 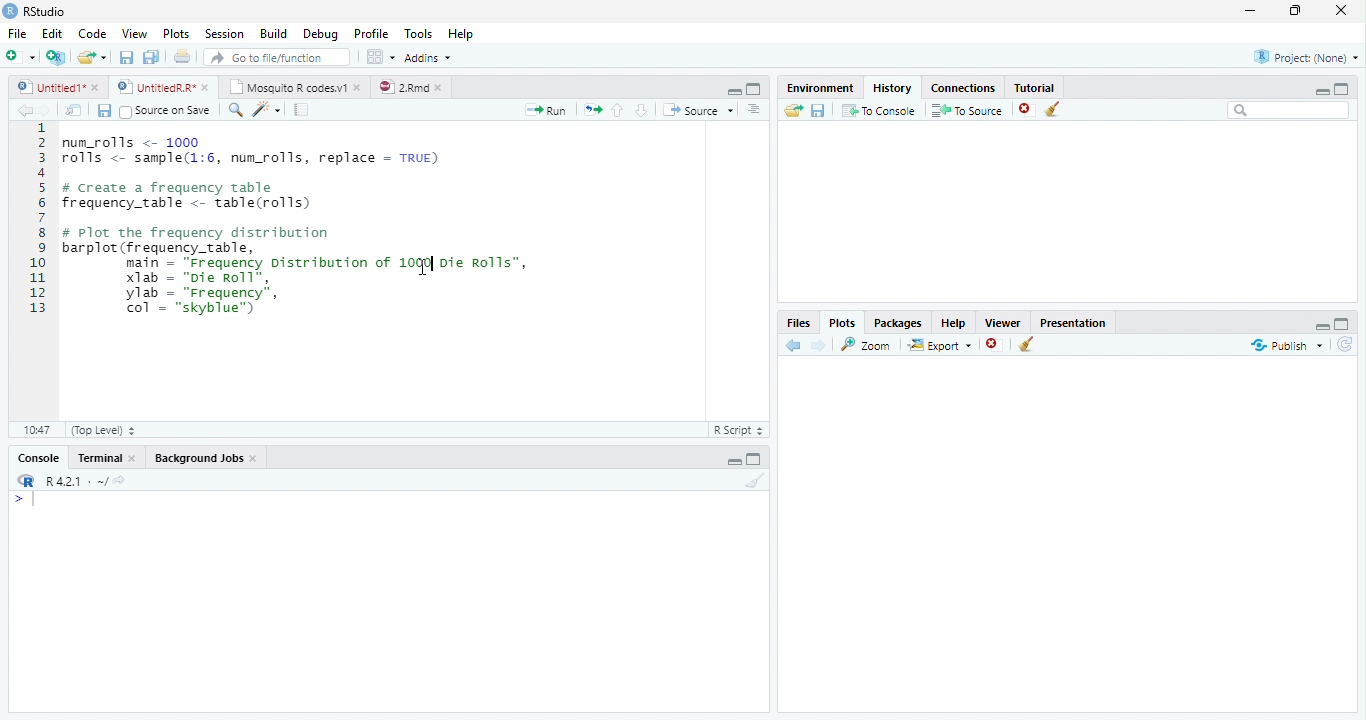 What do you see at coordinates (386, 601) in the screenshot?
I see `Console` at bounding box center [386, 601].